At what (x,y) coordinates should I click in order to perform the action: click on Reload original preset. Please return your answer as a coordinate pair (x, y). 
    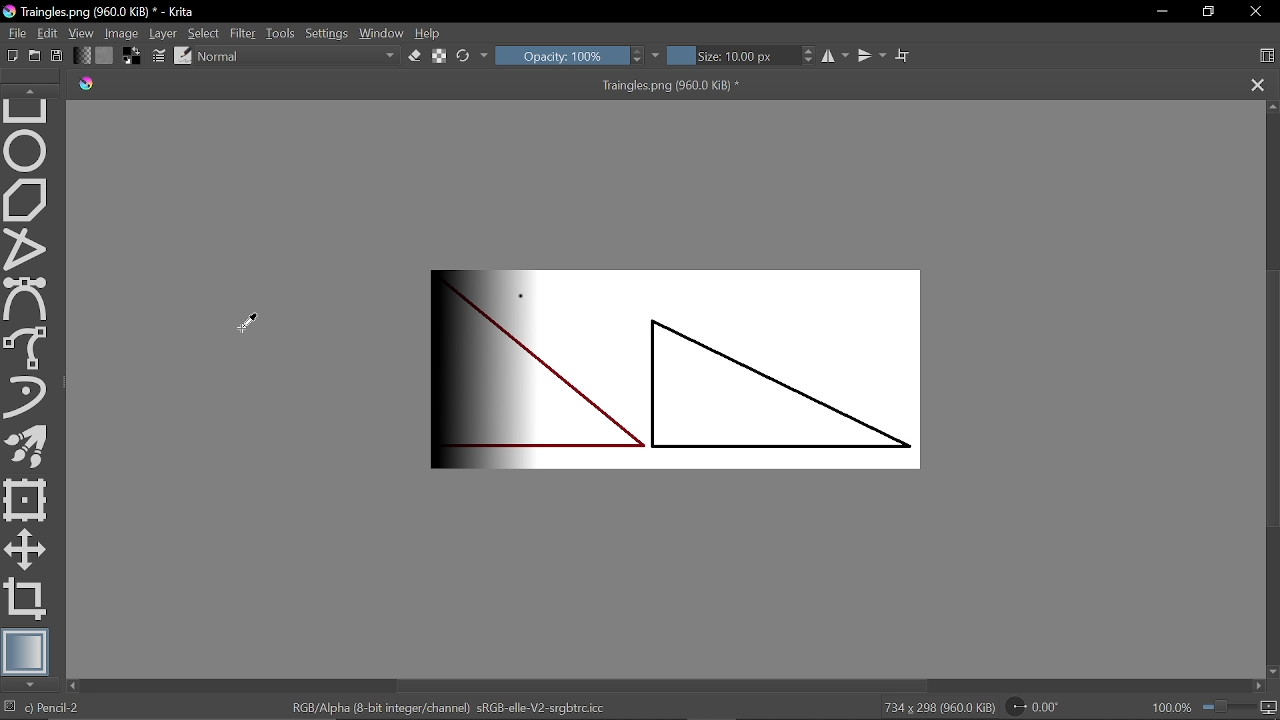
    Looking at the image, I should click on (464, 57).